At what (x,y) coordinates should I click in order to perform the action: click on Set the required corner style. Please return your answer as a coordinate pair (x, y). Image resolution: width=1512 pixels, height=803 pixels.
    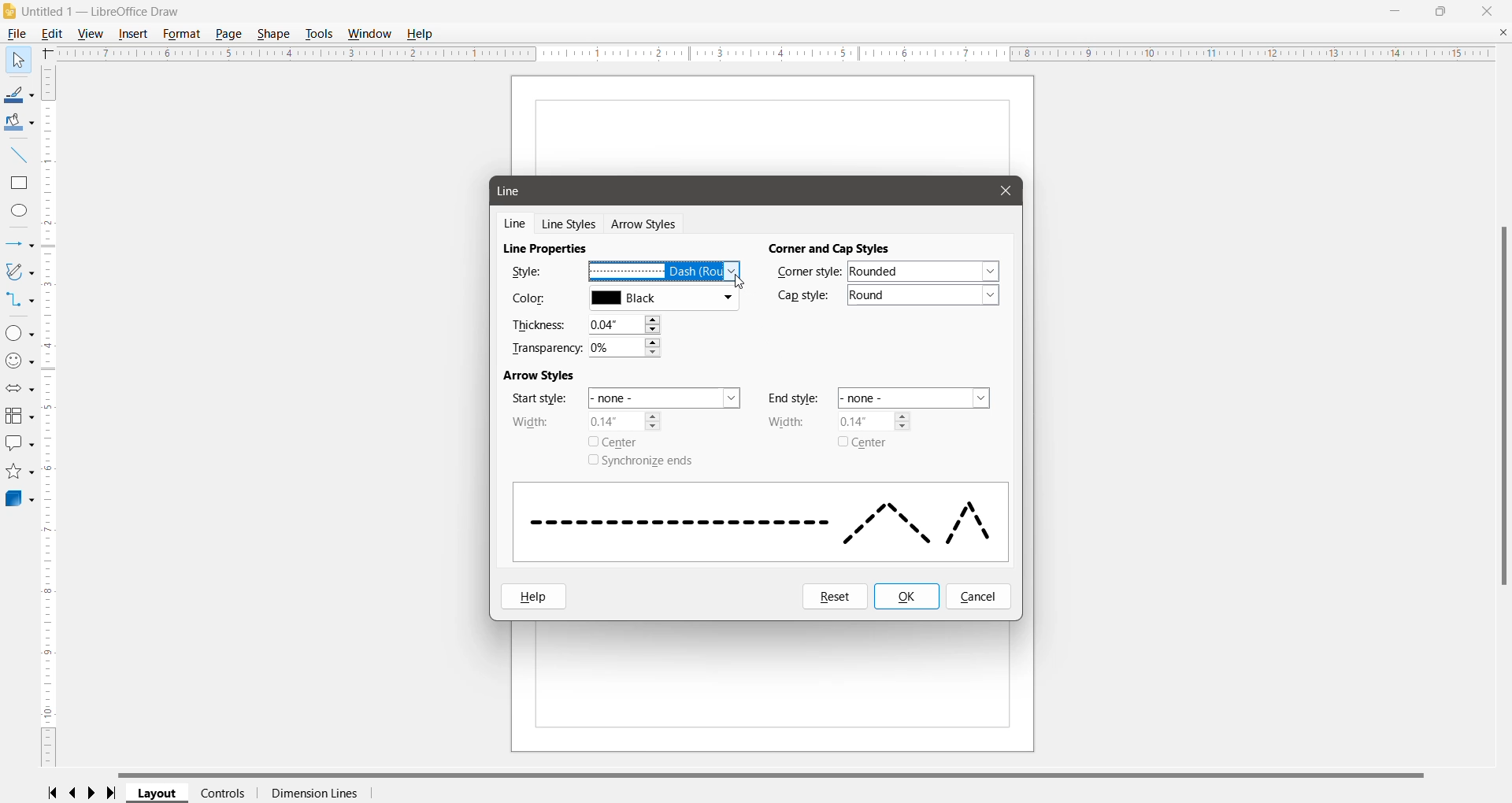
    Looking at the image, I should click on (923, 272).